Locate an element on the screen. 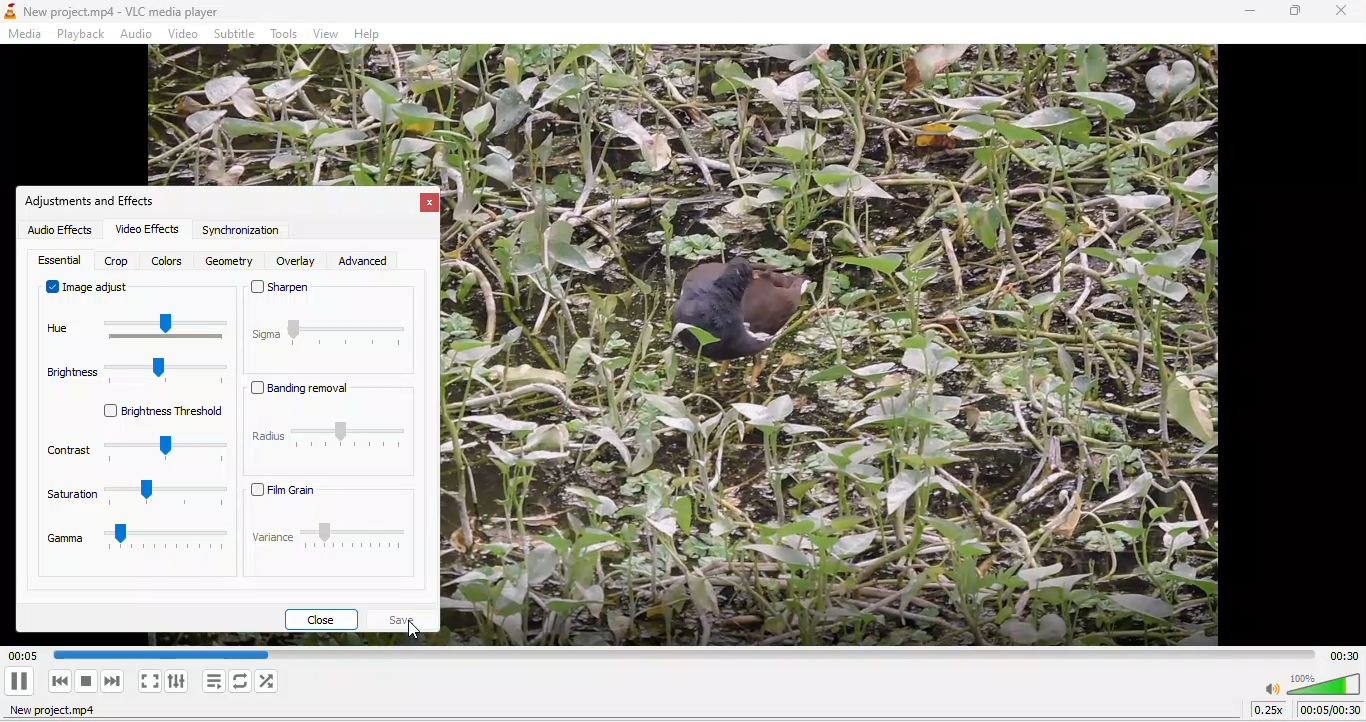  maximize is located at coordinates (1293, 12).